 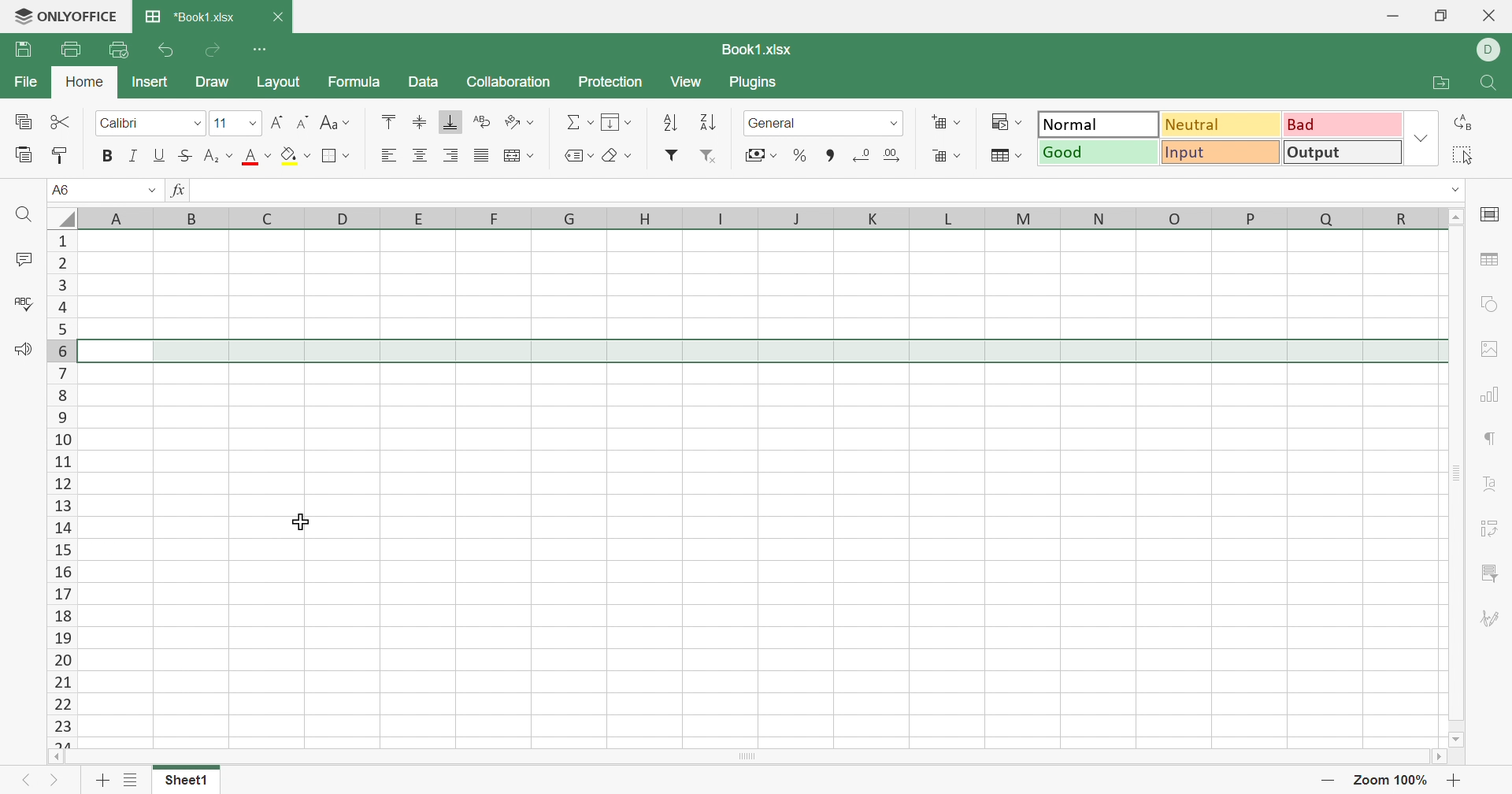 I want to click on Close, so click(x=275, y=16).